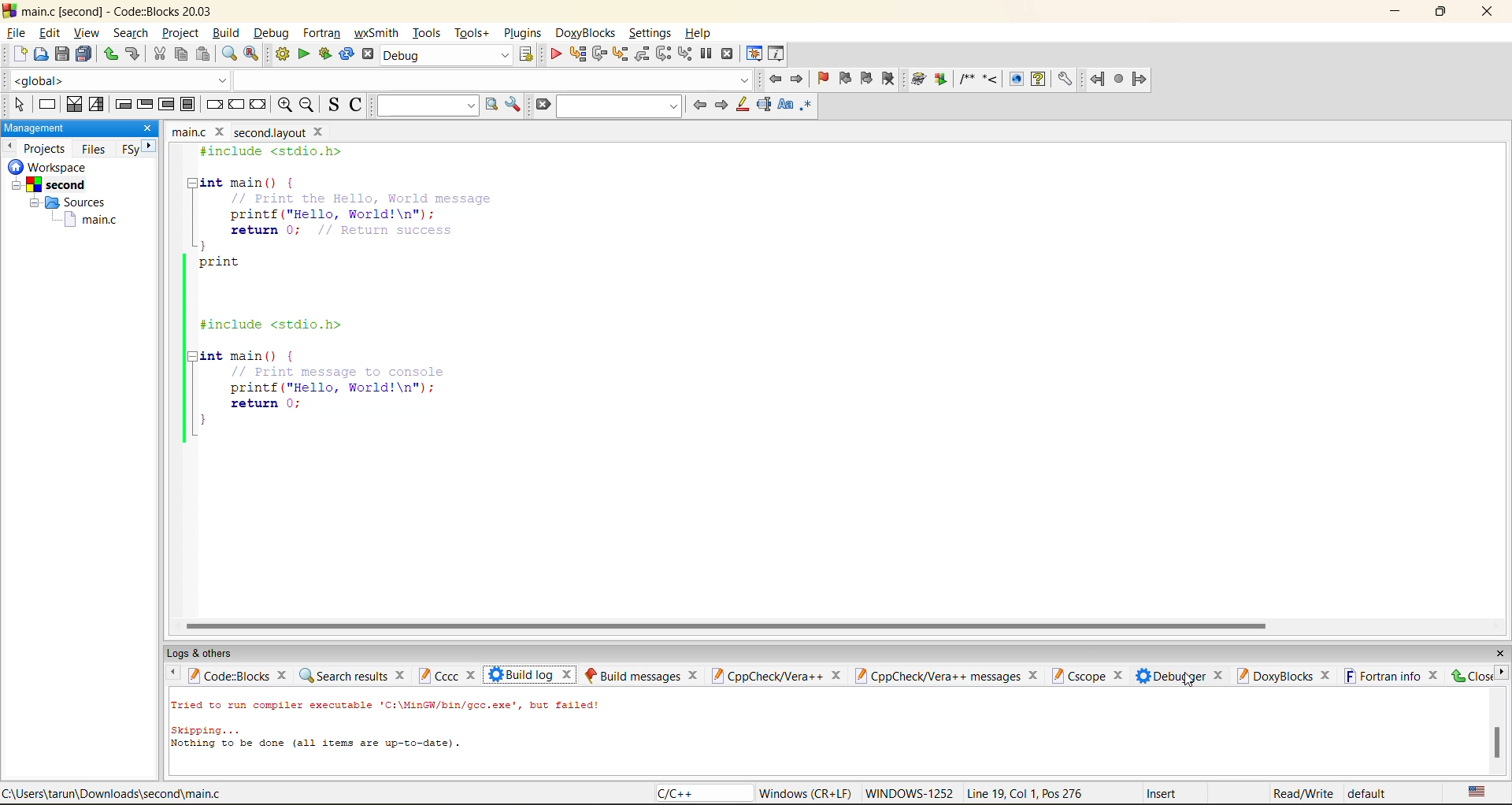  What do you see at coordinates (524, 33) in the screenshot?
I see `plugins` at bounding box center [524, 33].